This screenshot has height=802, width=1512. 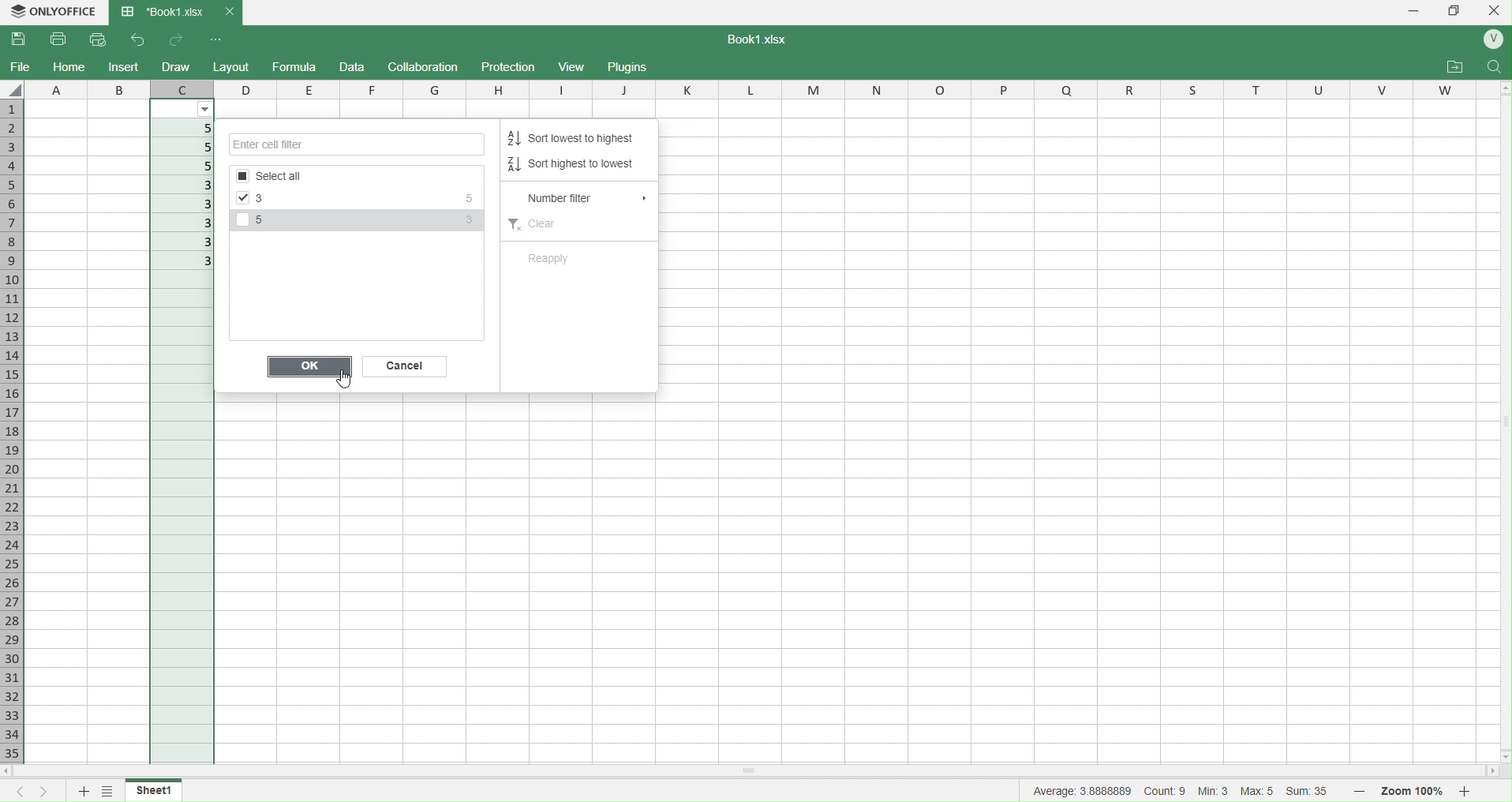 What do you see at coordinates (627, 66) in the screenshot?
I see `Plugins` at bounding box center [627, 66].